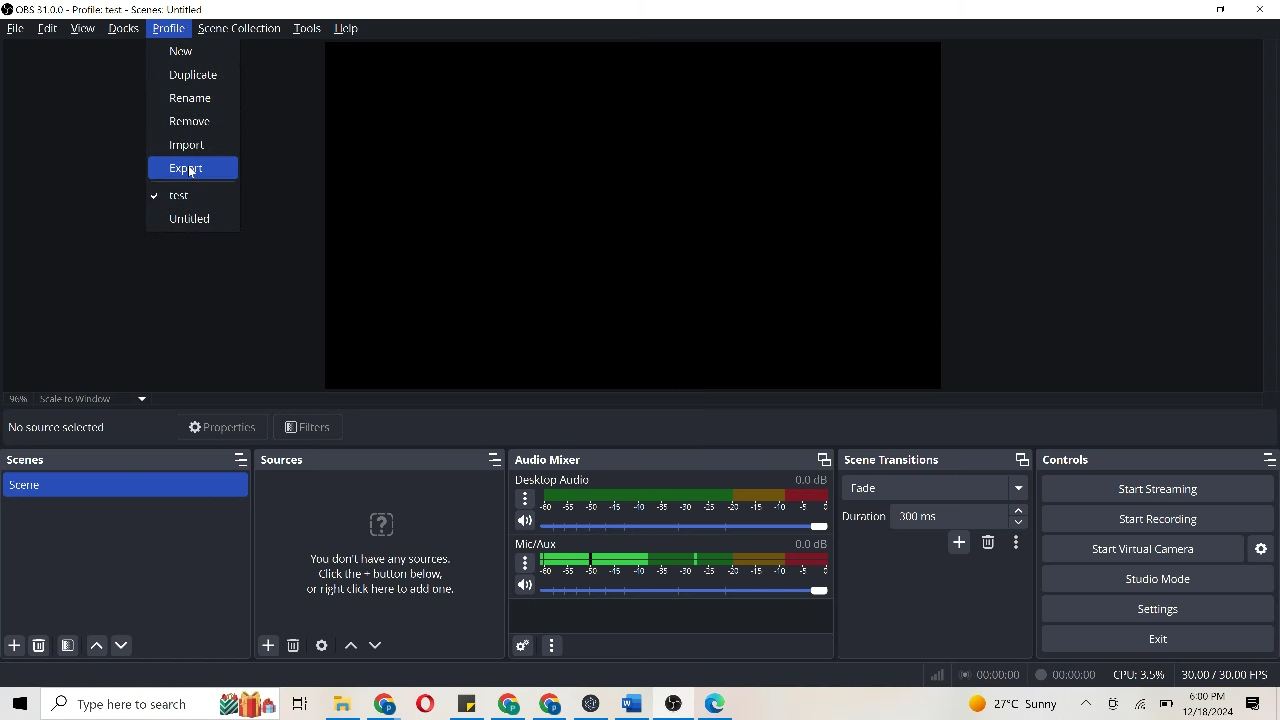 Image resolution: width=1280 pixels, height=720 pixels. What do you see at coordinates (934, 492) in the screenshot?
I see `trade` at bounding box center [934, 492].